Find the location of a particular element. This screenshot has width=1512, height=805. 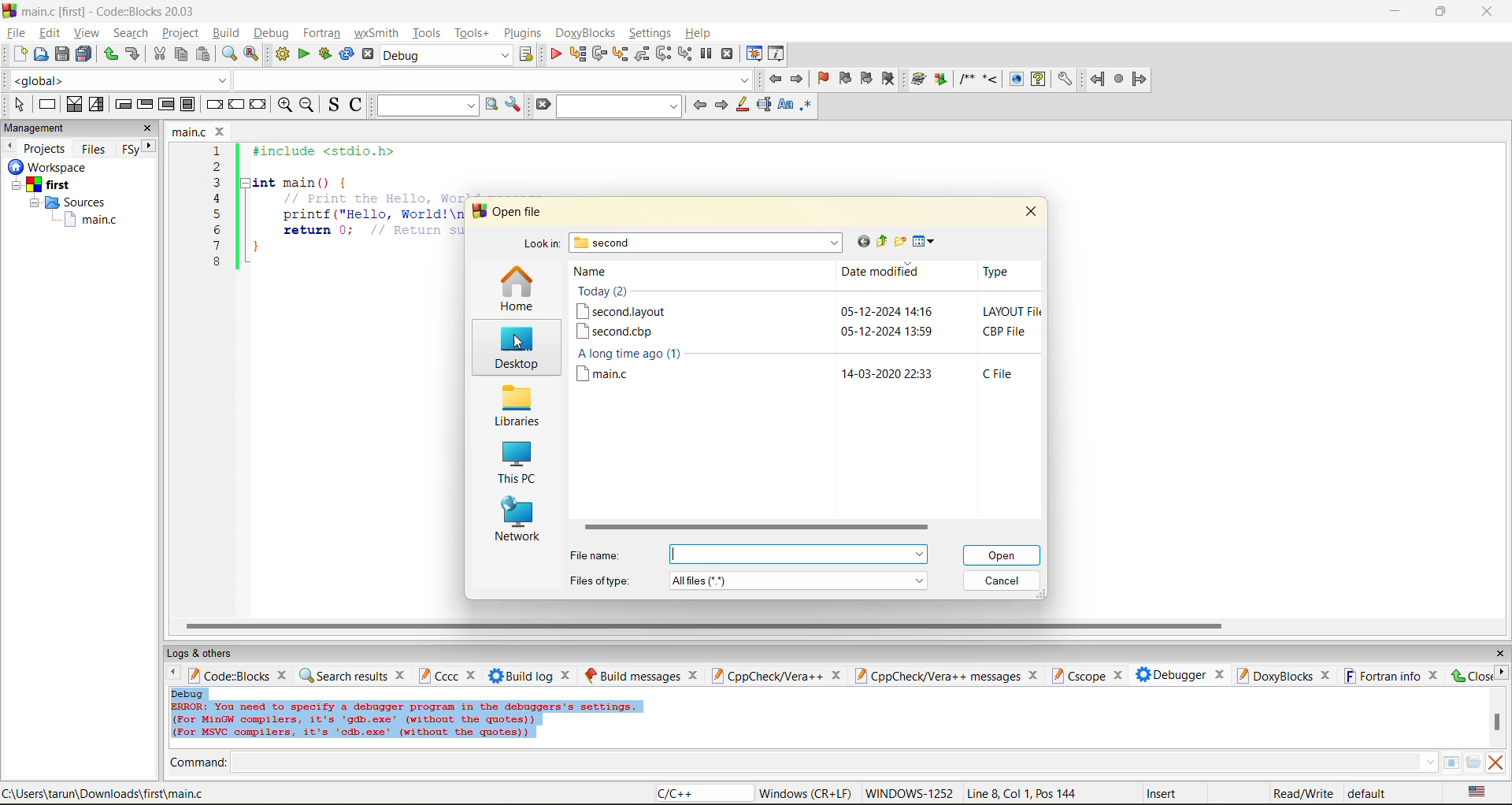

close is located at coordinates (836, 676).